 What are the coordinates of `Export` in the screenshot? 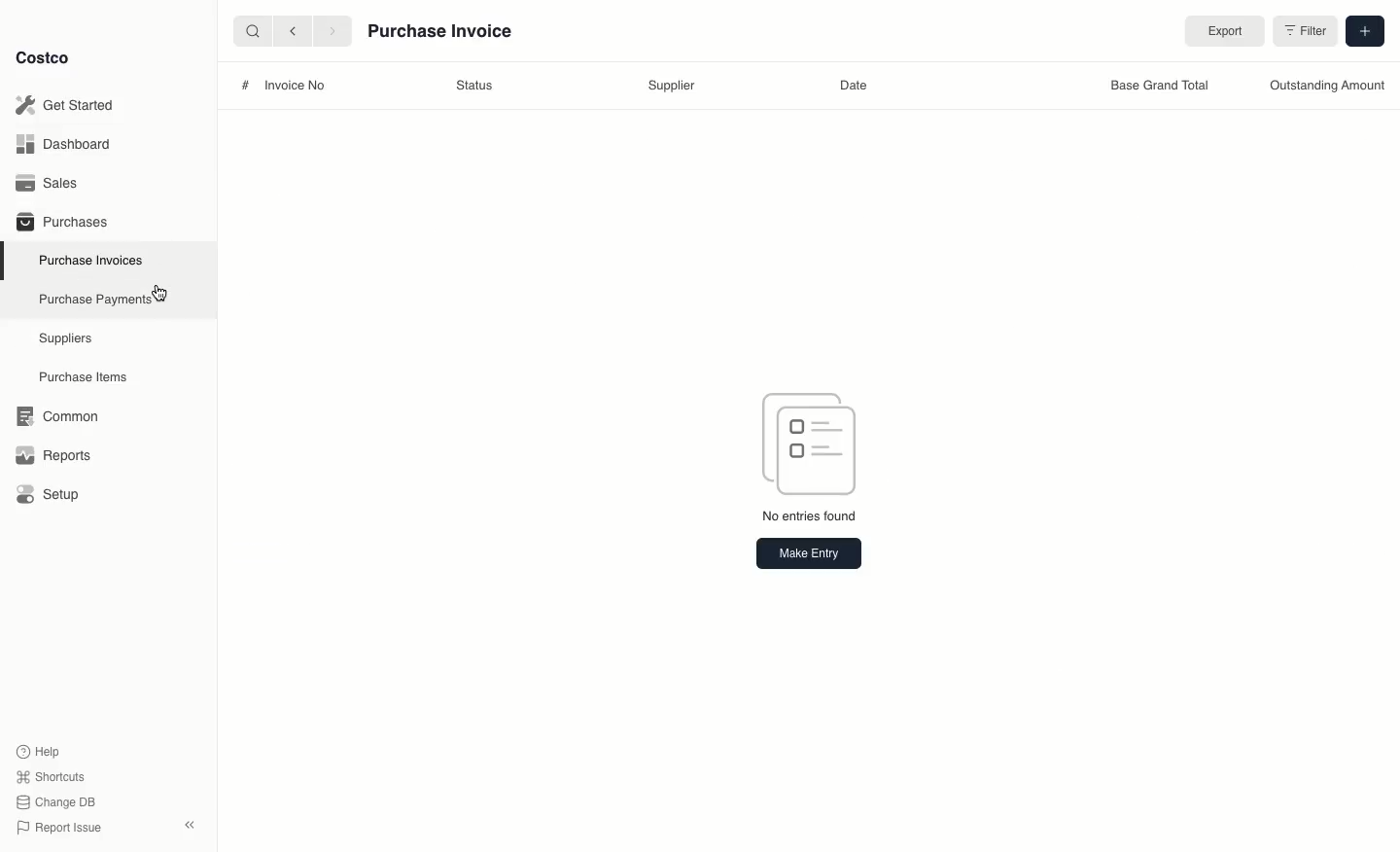 It's located at (1221, 32).